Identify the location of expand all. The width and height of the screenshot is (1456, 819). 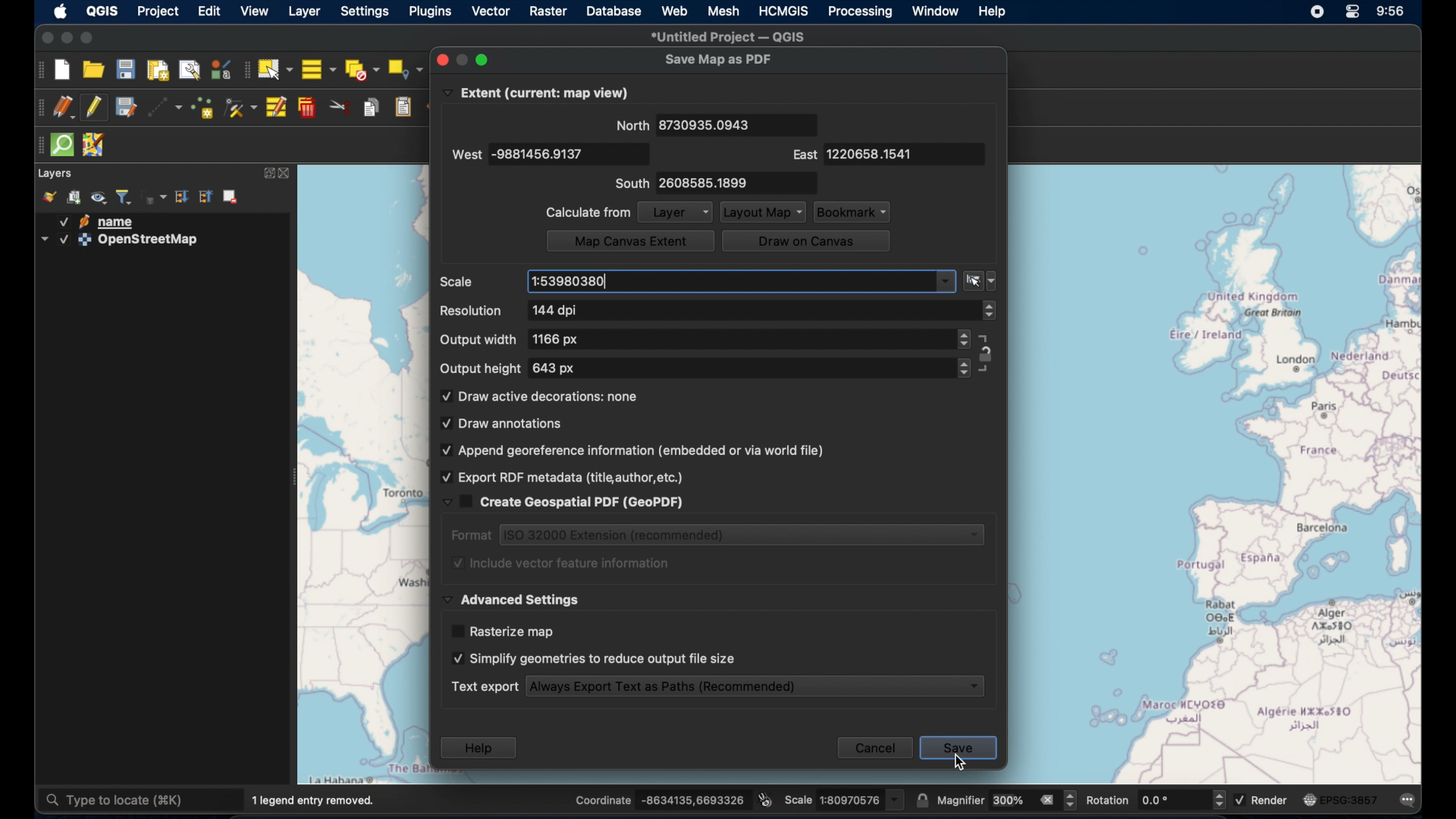
(184, 196).